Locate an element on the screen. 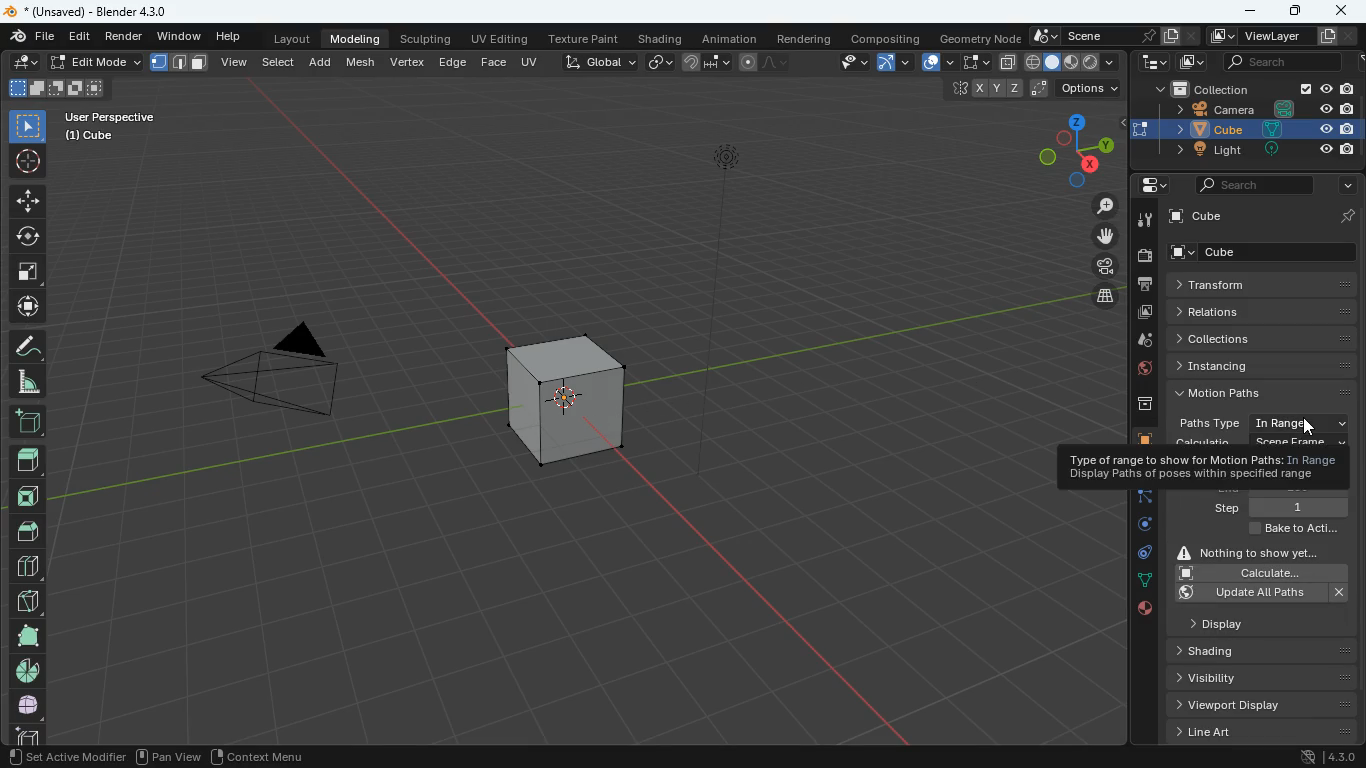  dimensions is located at coordinates (1024, 89).